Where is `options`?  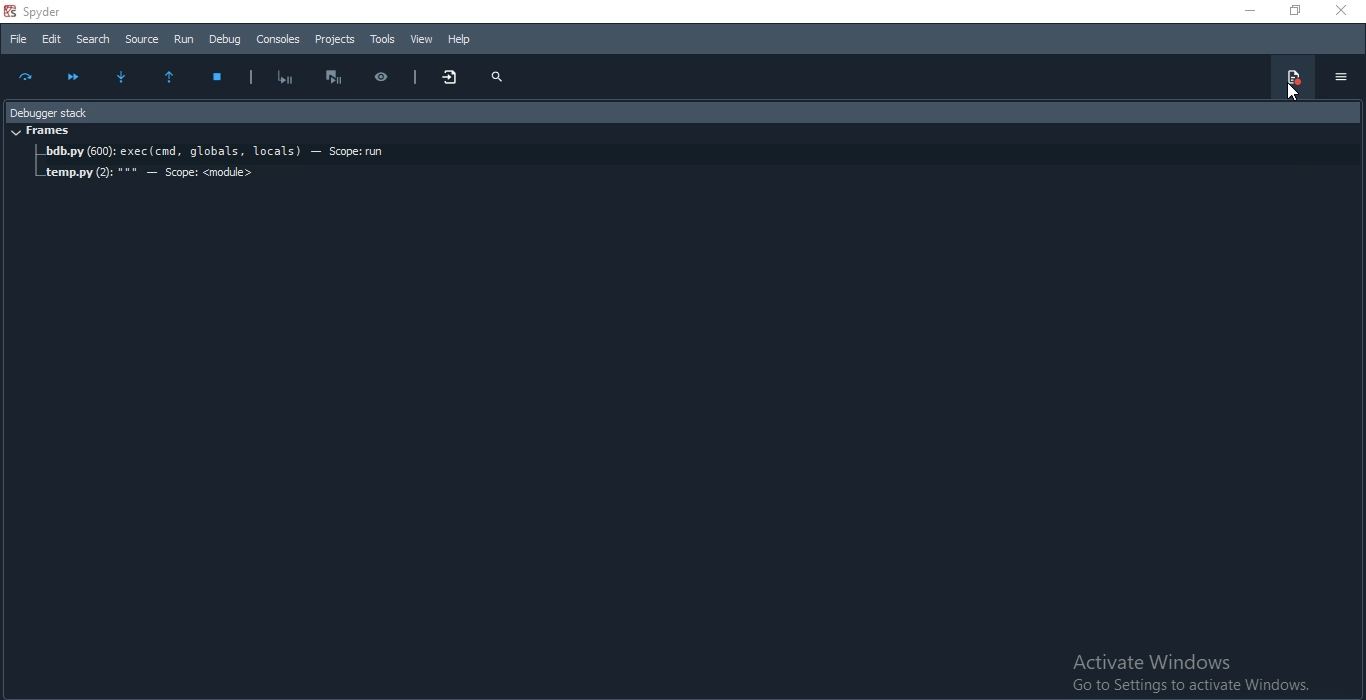 options is located at coordinates (1340, 77).